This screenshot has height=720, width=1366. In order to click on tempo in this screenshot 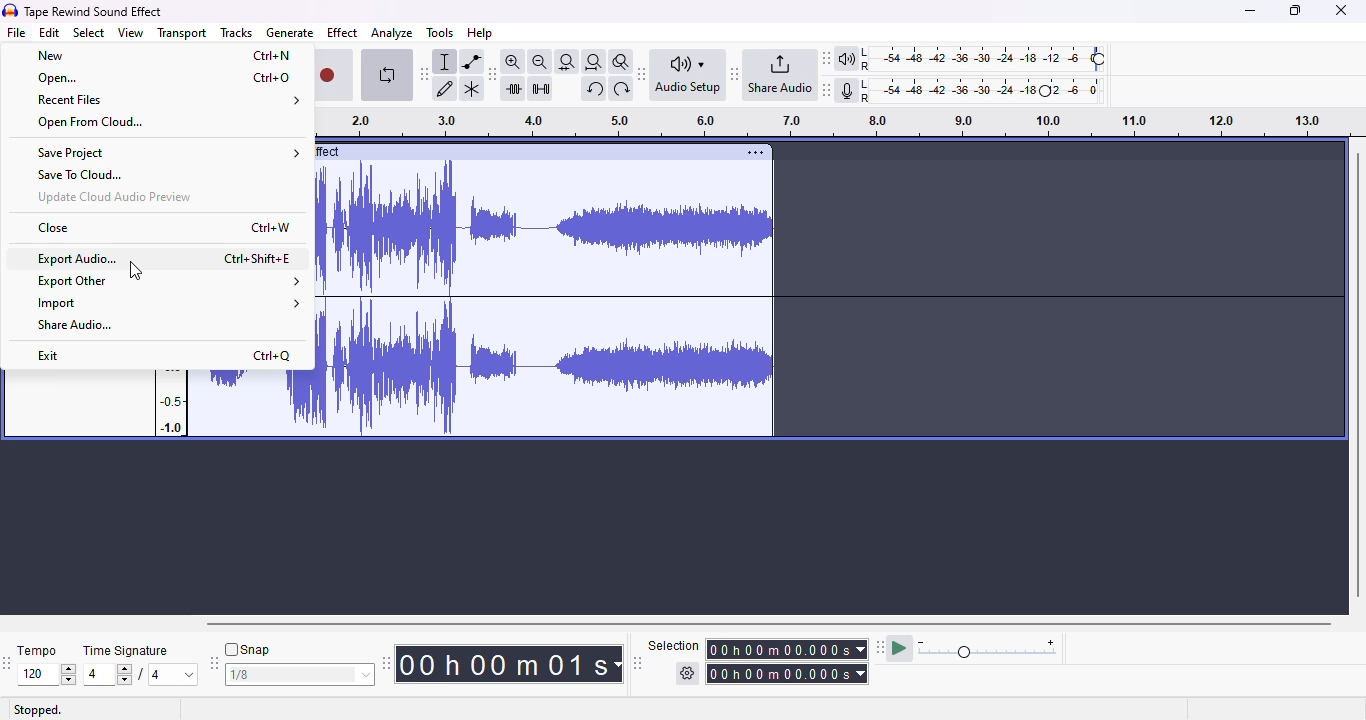, I will do `click(49, 666)`.